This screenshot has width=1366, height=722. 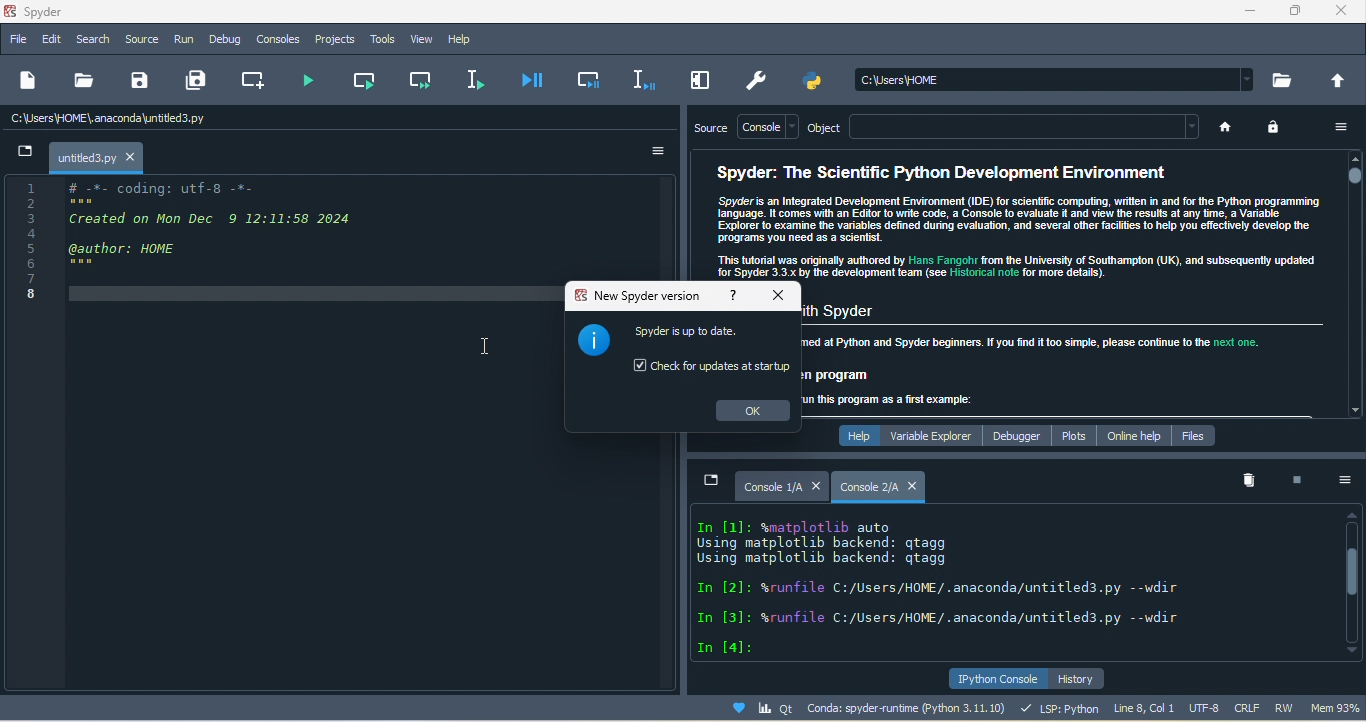 What do you see at coordinates (57, 10) in the screenshot?
I see `title` at bounding box center [57, 10].